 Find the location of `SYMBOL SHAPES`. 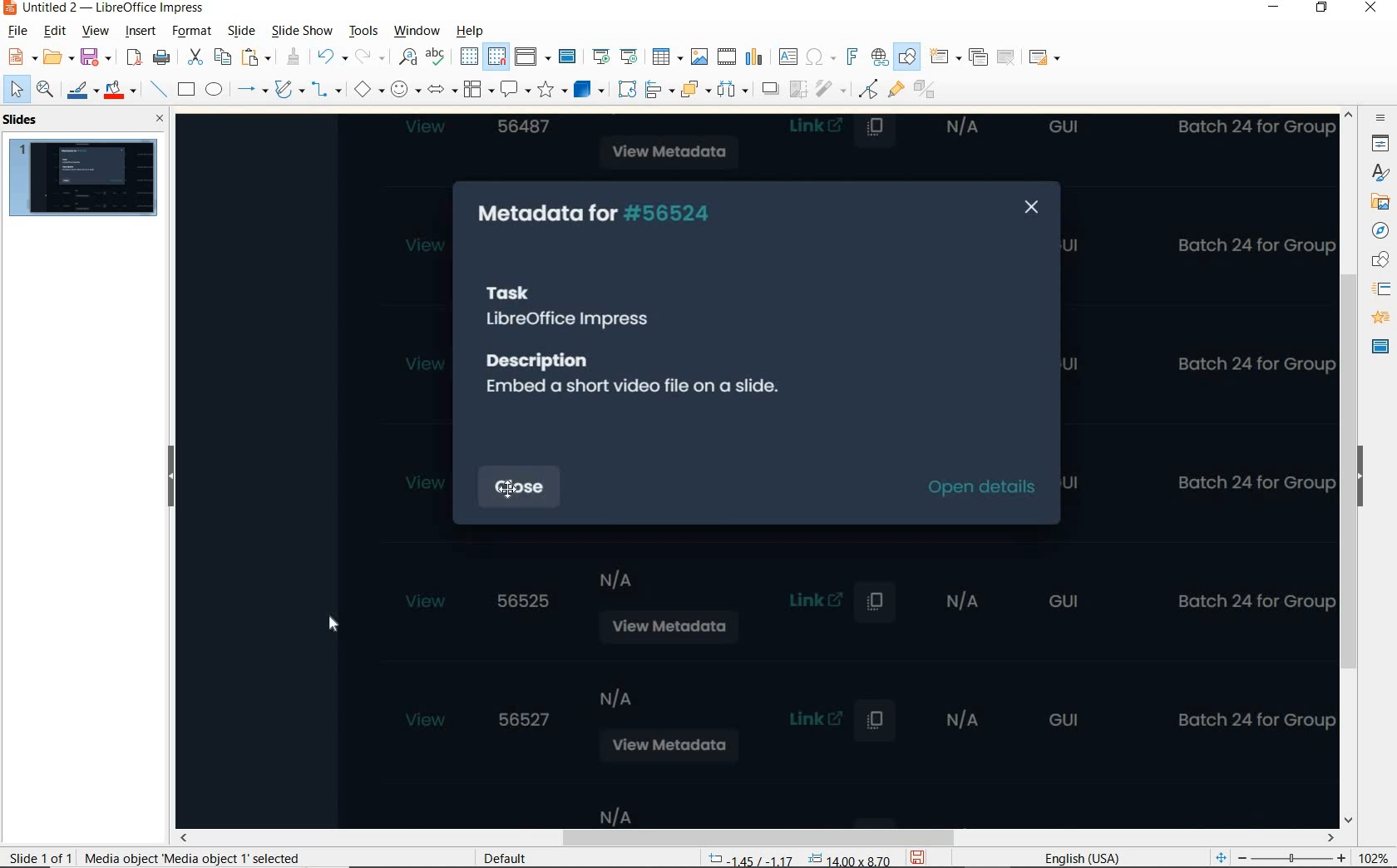

SYMBOL SHAPES is located at coordinates (406, 89).